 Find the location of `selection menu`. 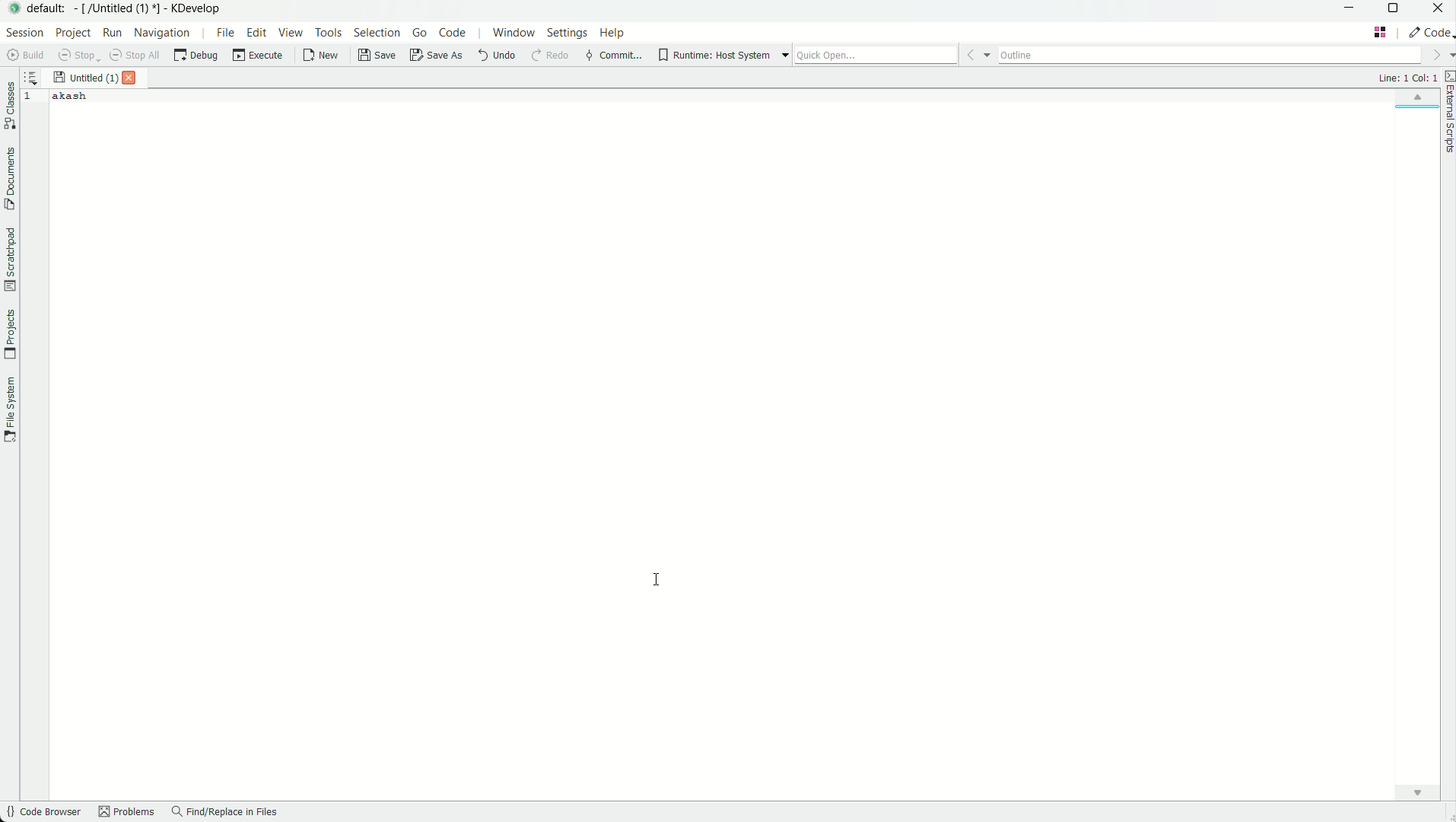

selection menu is located at coordinates (377, 33).